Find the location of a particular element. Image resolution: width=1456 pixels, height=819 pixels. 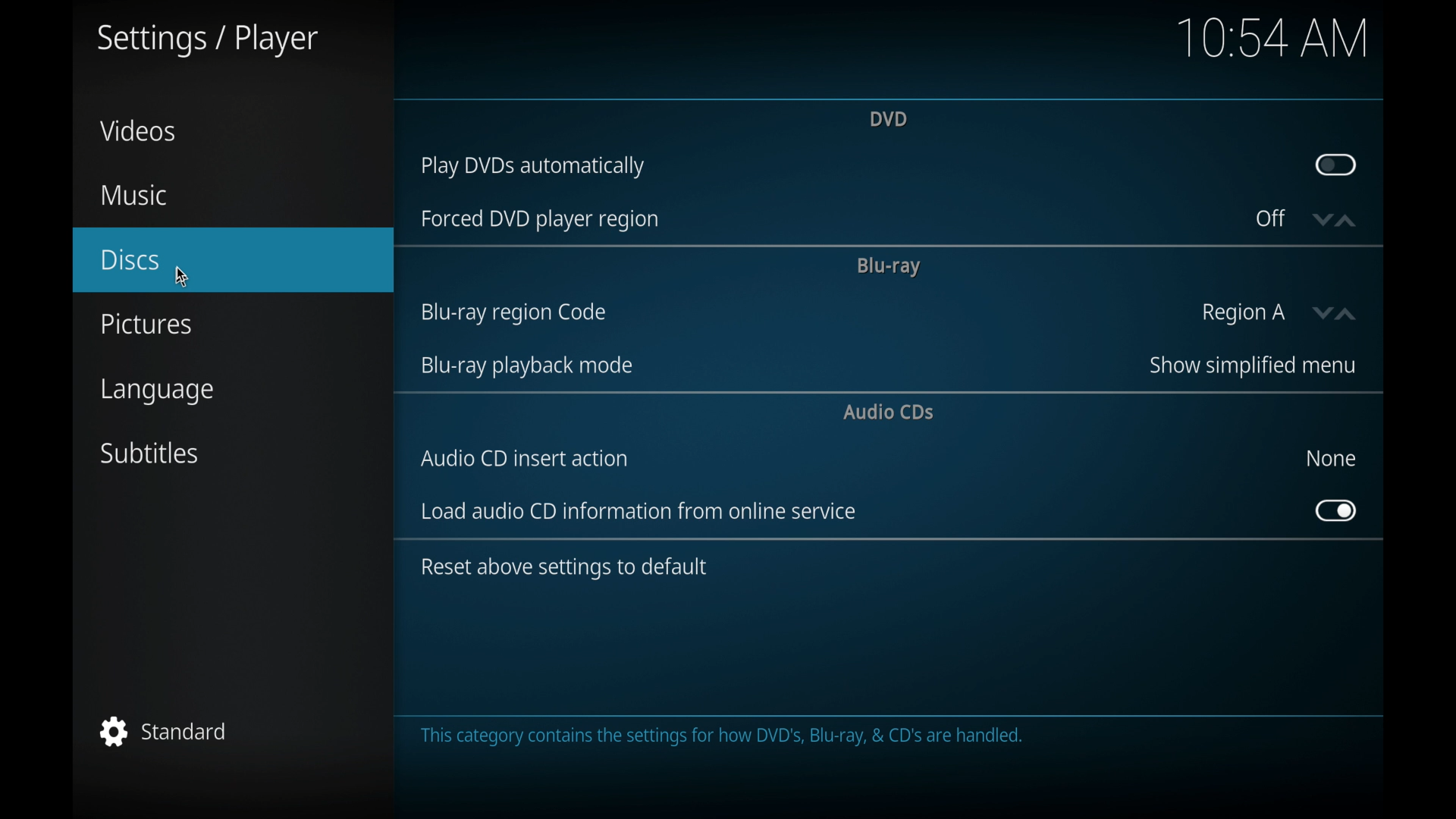

dvd is located at coordinates (887, 118).